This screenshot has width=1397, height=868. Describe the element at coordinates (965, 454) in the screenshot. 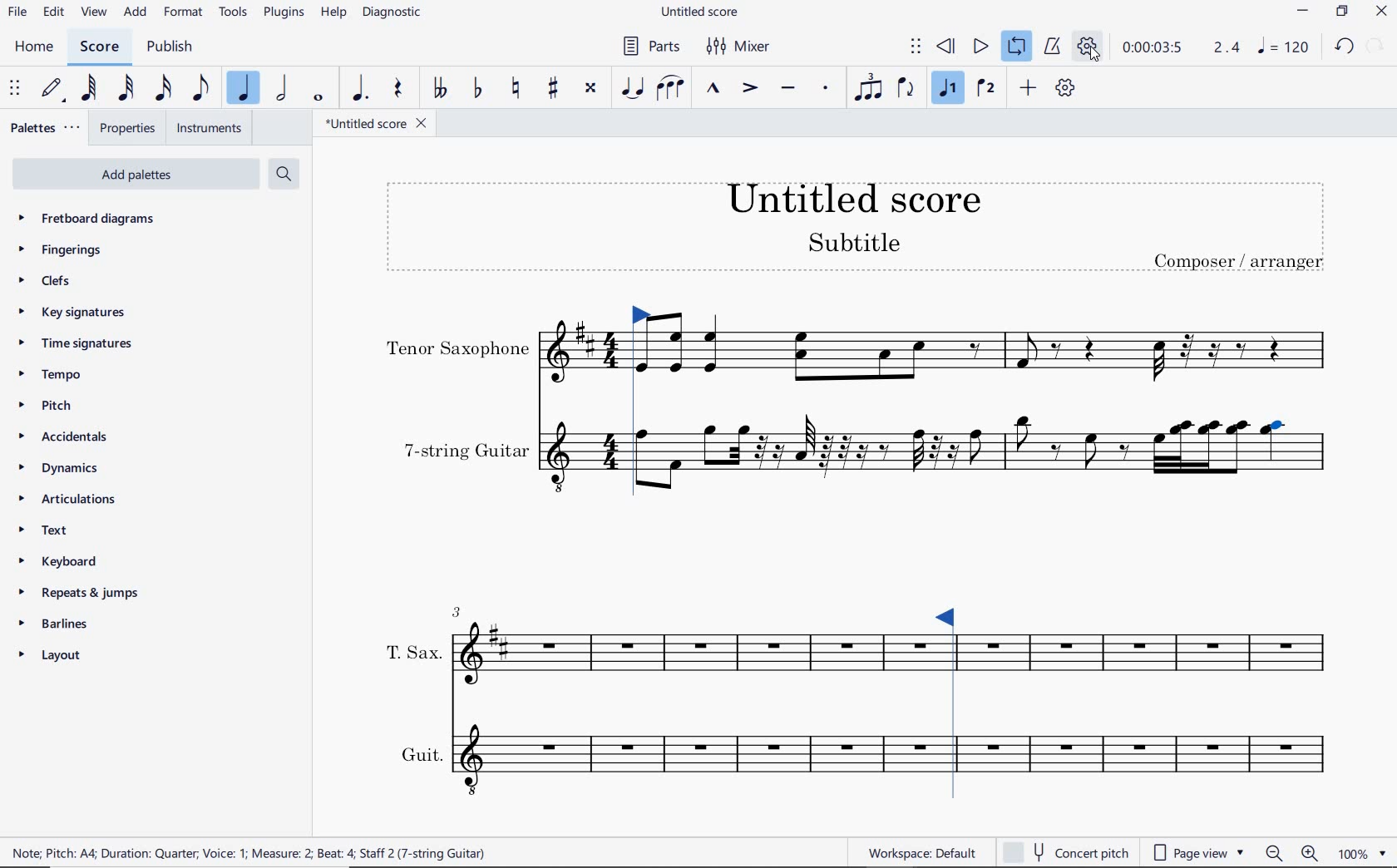

I see `INSTRUMENT: 7-STRING GUITAR` at that location.